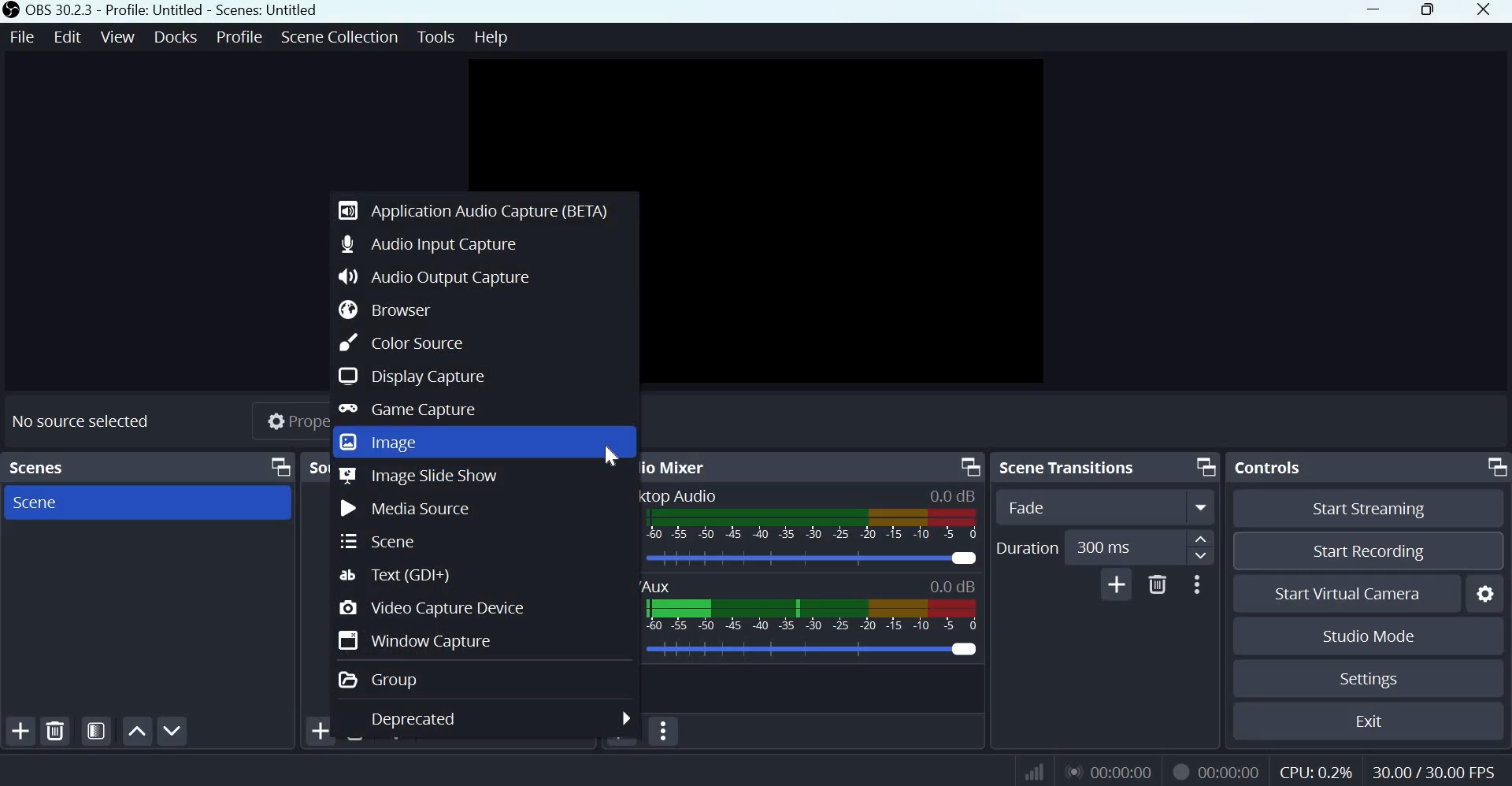 Image resolution: width=1512 pixels, height=786 pixels. I want to click on help, so click(493, 36).